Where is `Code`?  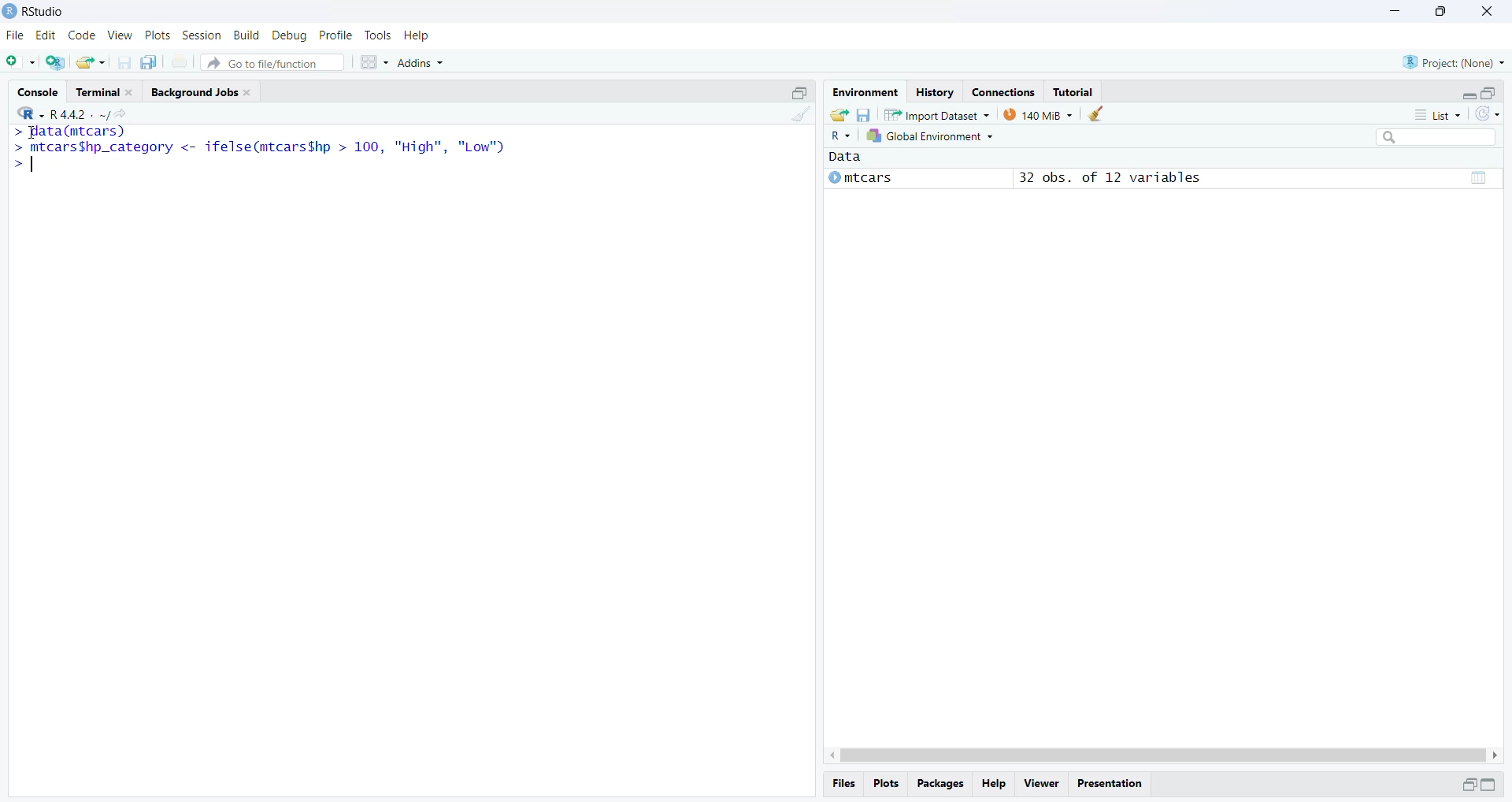
Code is located at coordinates (81, 35).